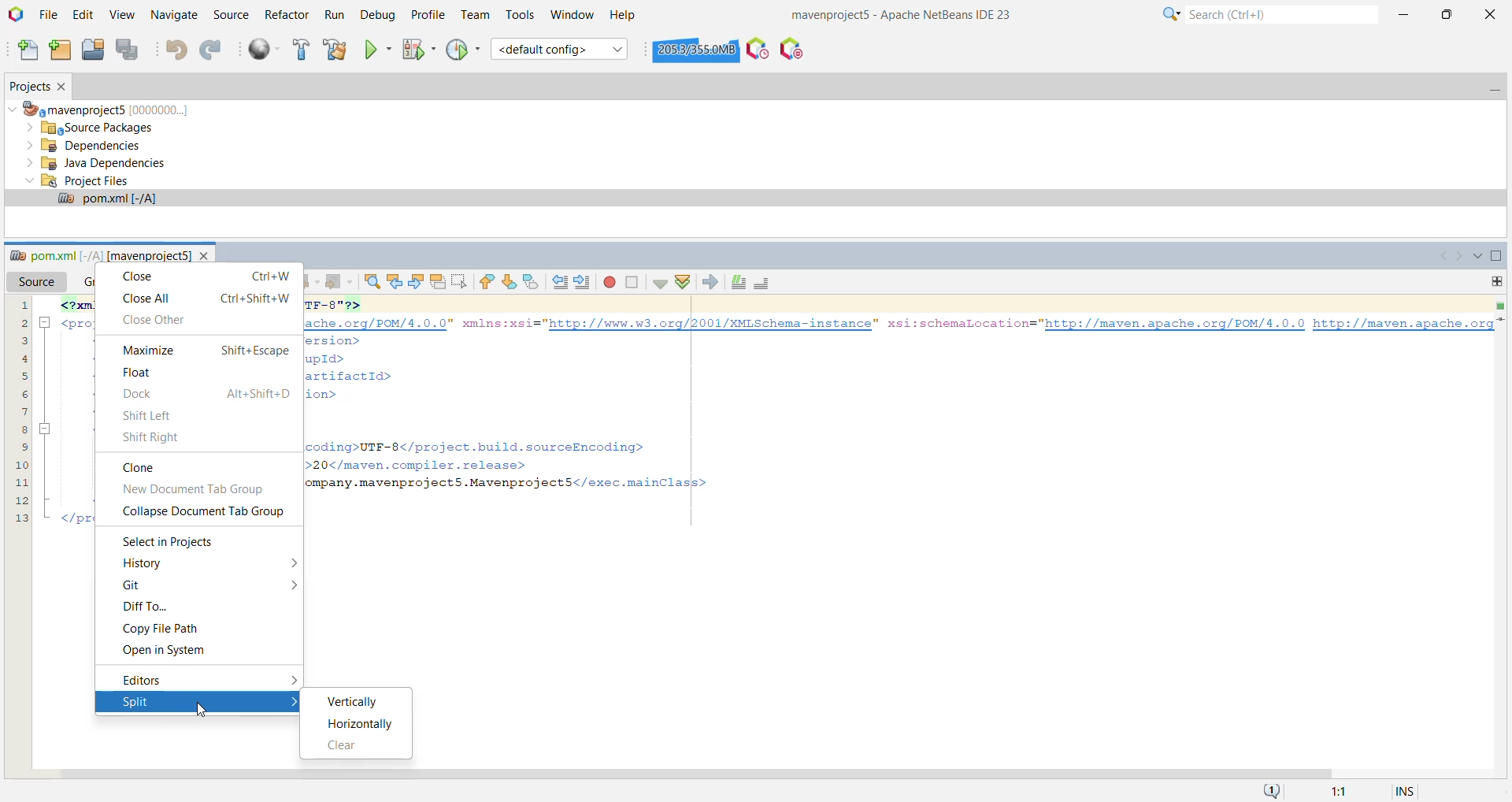 This screenshot has width=1512, height=802. Describe the element at coordinates (560, 49) in the screenshot. I see `Set Project Configuration` at that location.